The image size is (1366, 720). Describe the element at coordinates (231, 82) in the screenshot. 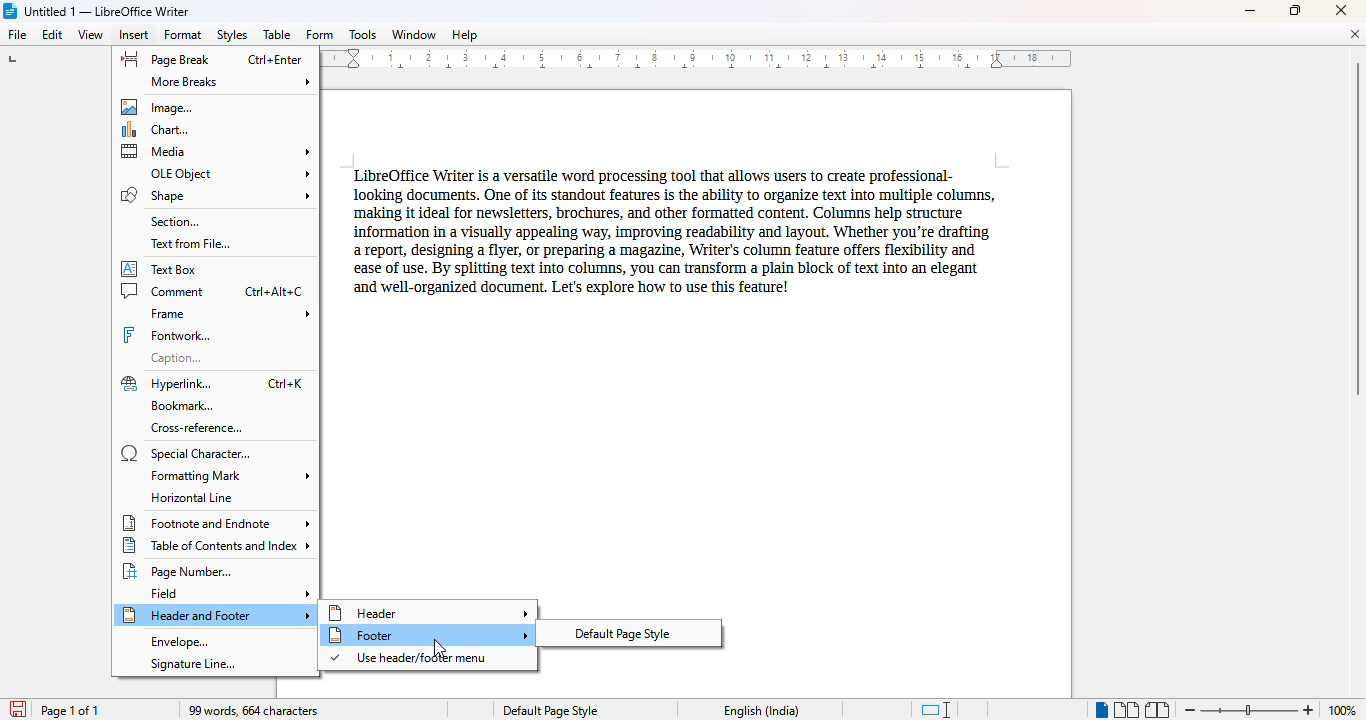

I see `more breaks` at that location.